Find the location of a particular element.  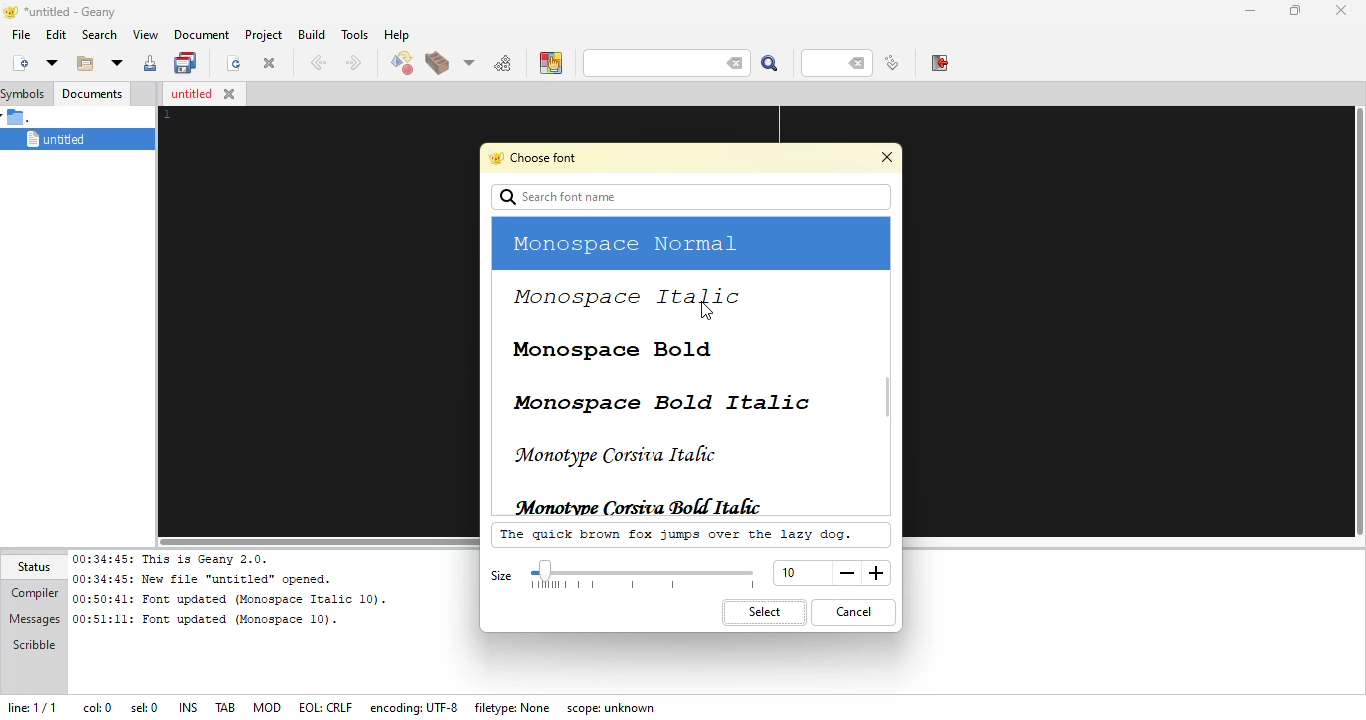

exit is located at coordinates (938, 63).